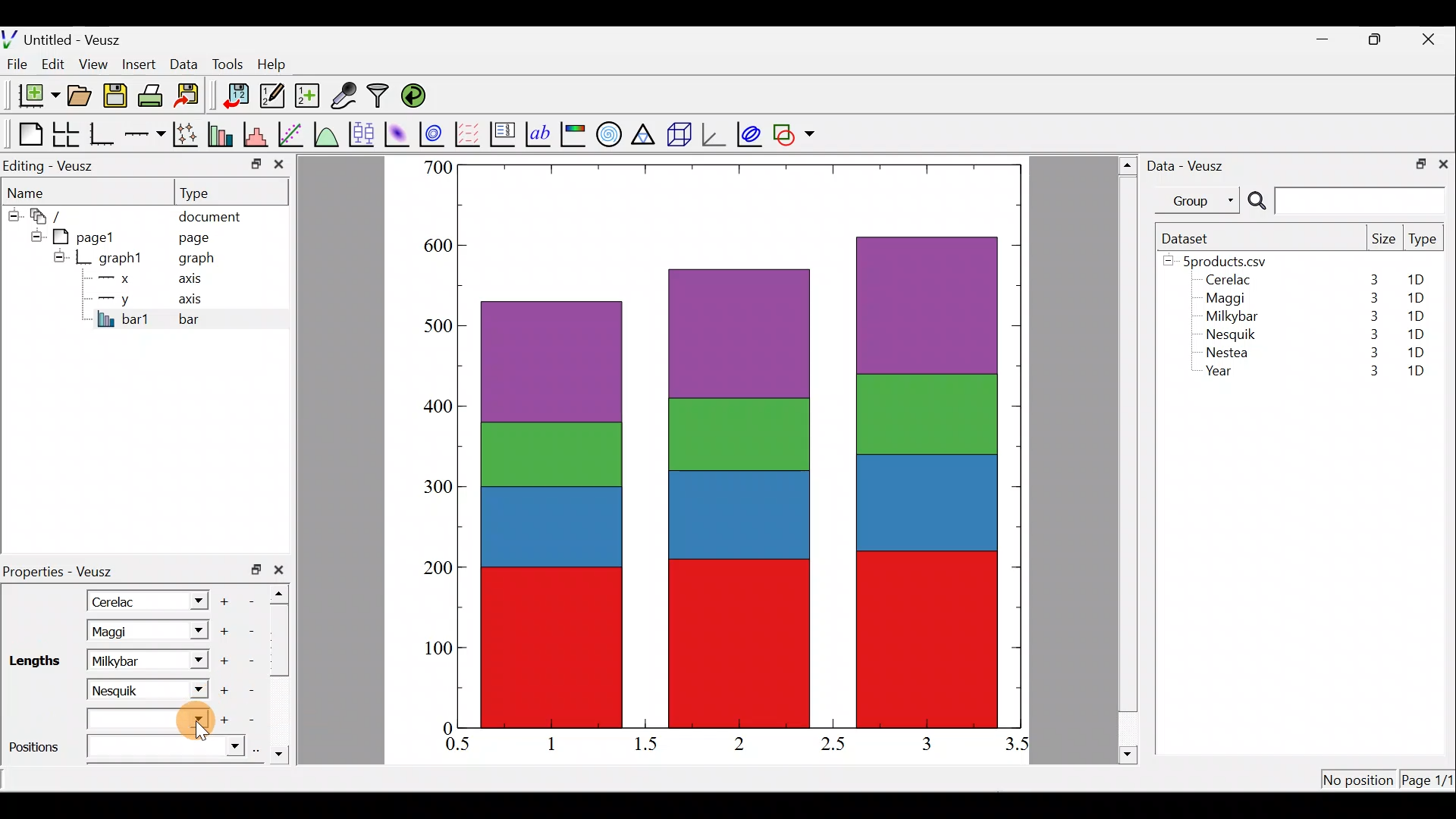 The image size is (1456, 819). What do you see at coordinates (222, 632) in the screenshot?
I see `Add another item` at bounding box center [222, 632].